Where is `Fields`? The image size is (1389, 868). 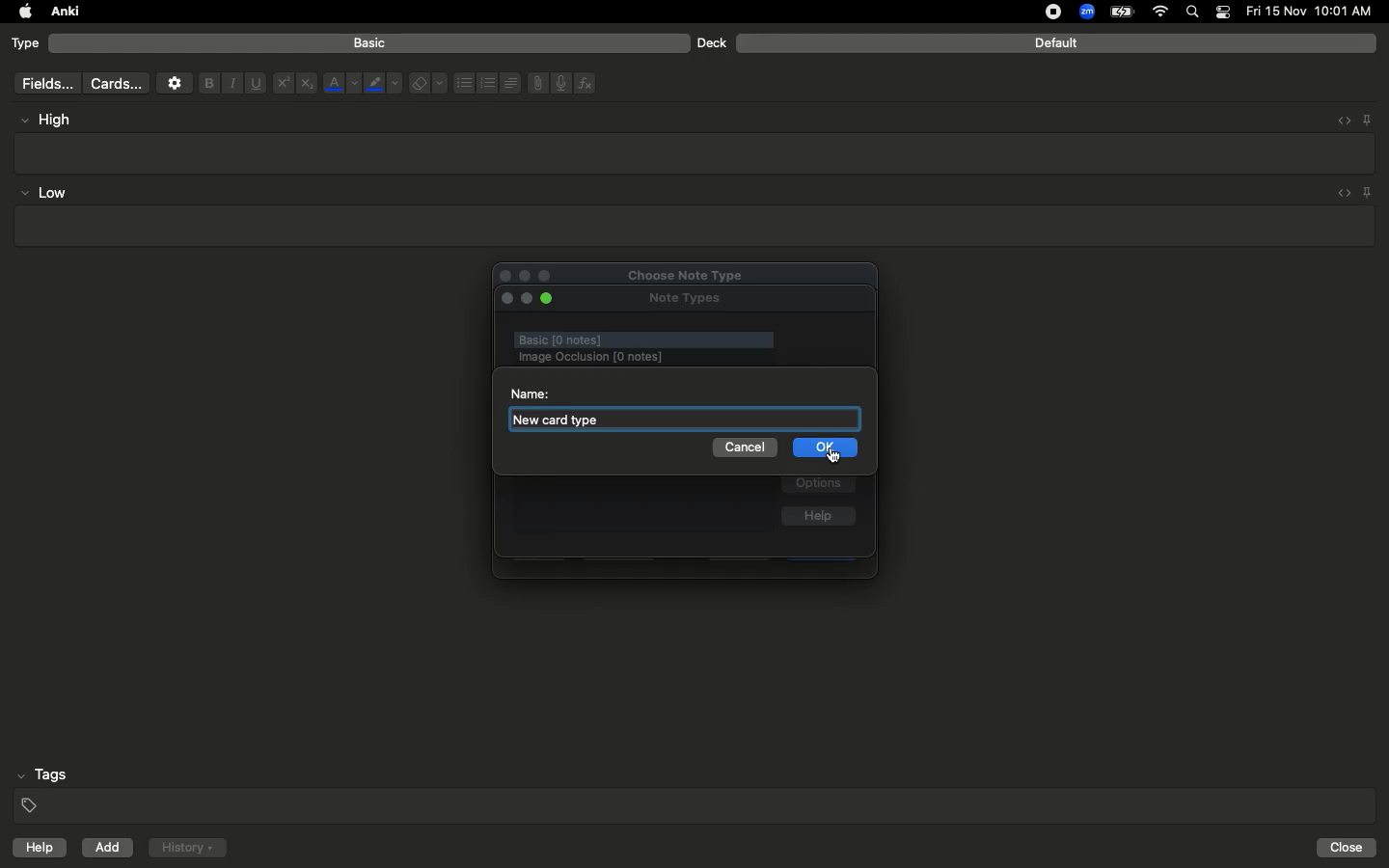 Fields is located at coordinates (43, 83).